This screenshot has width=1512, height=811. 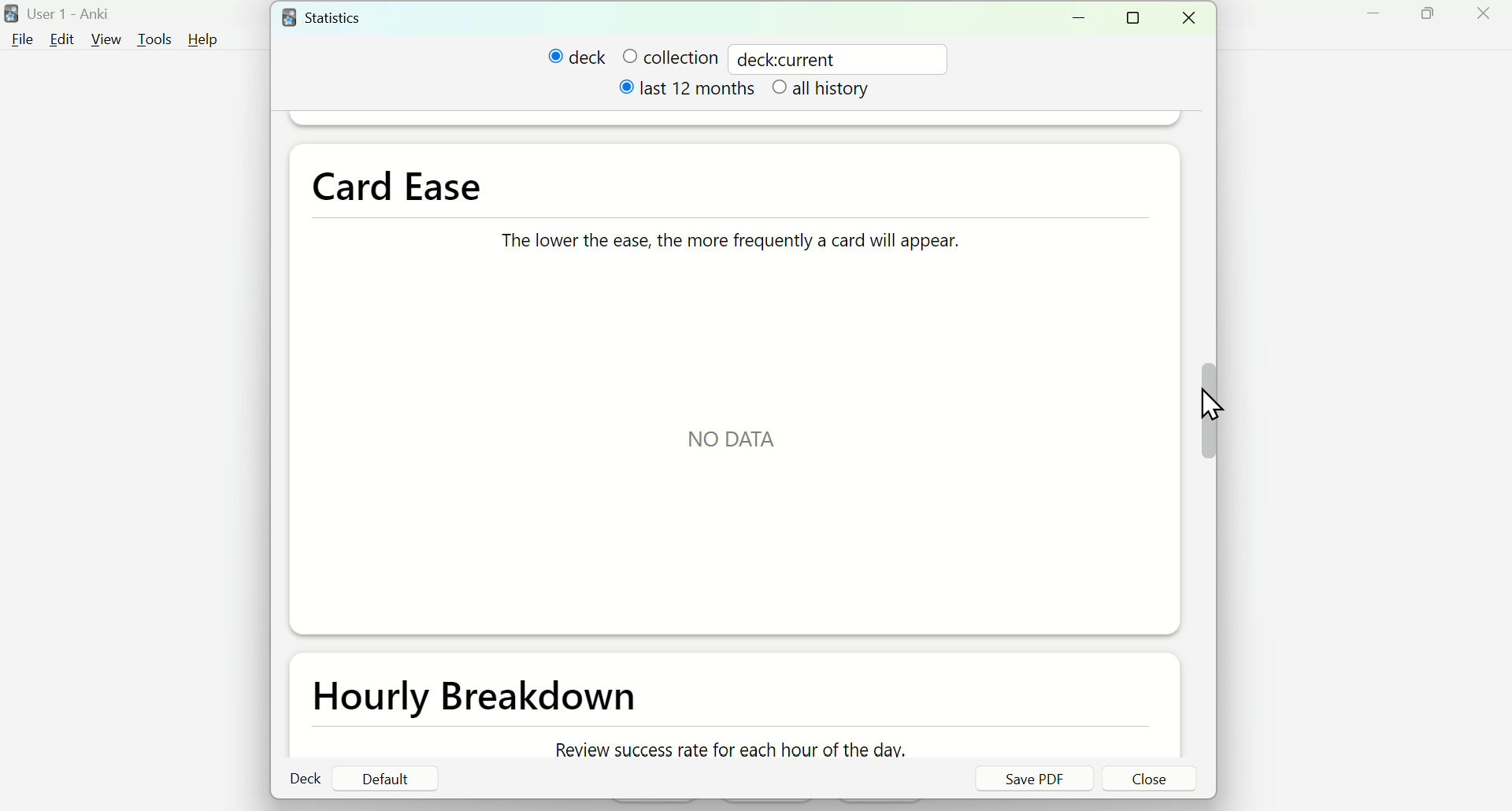 What do you see at coordinates (724, 235) in the screenshot?
I see `The lower the ease, the more frequently a card will appear.` at bounding box center [724, 235].